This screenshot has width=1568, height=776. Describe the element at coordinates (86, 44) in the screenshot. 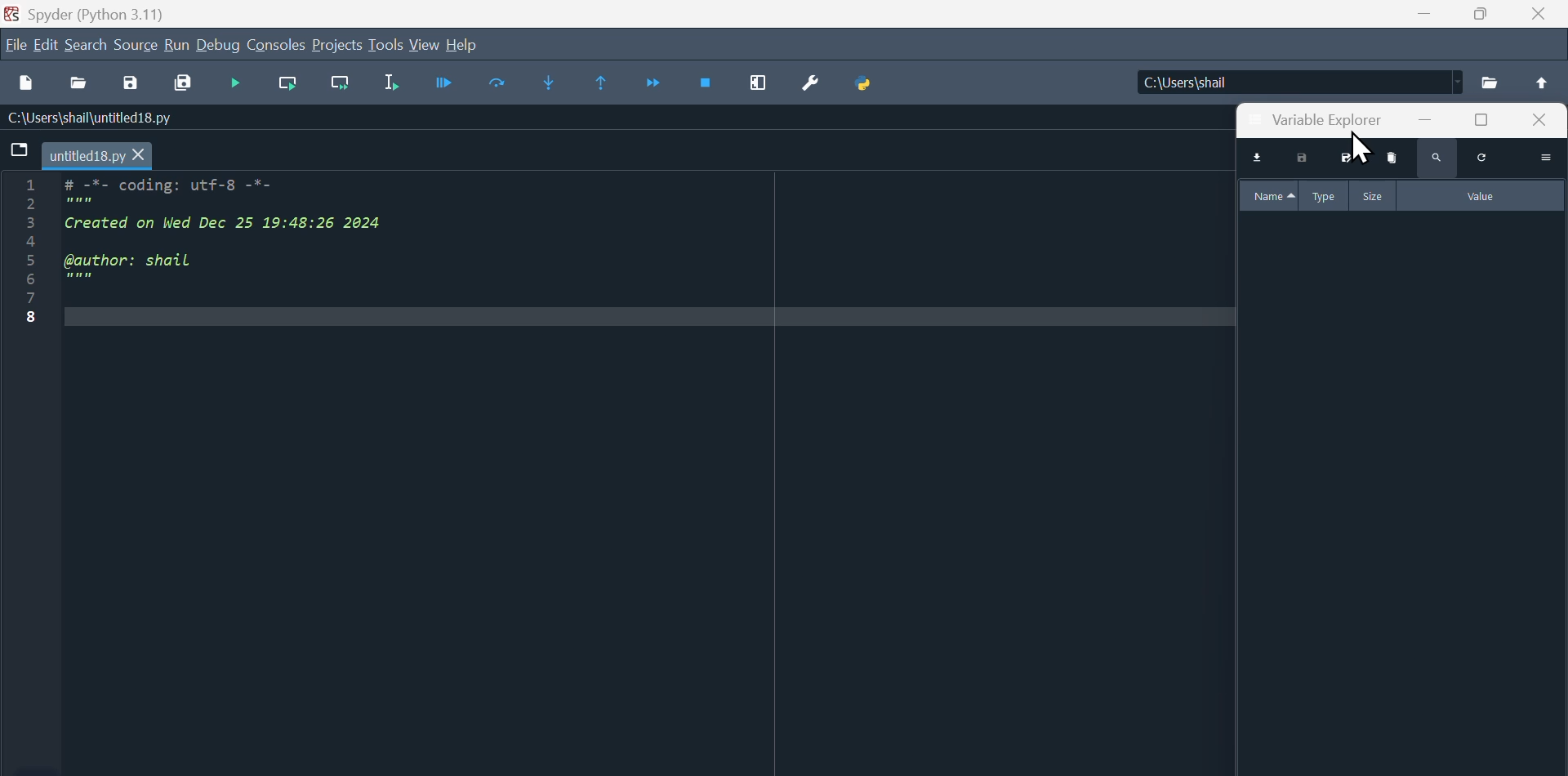

I see `search` at that location.